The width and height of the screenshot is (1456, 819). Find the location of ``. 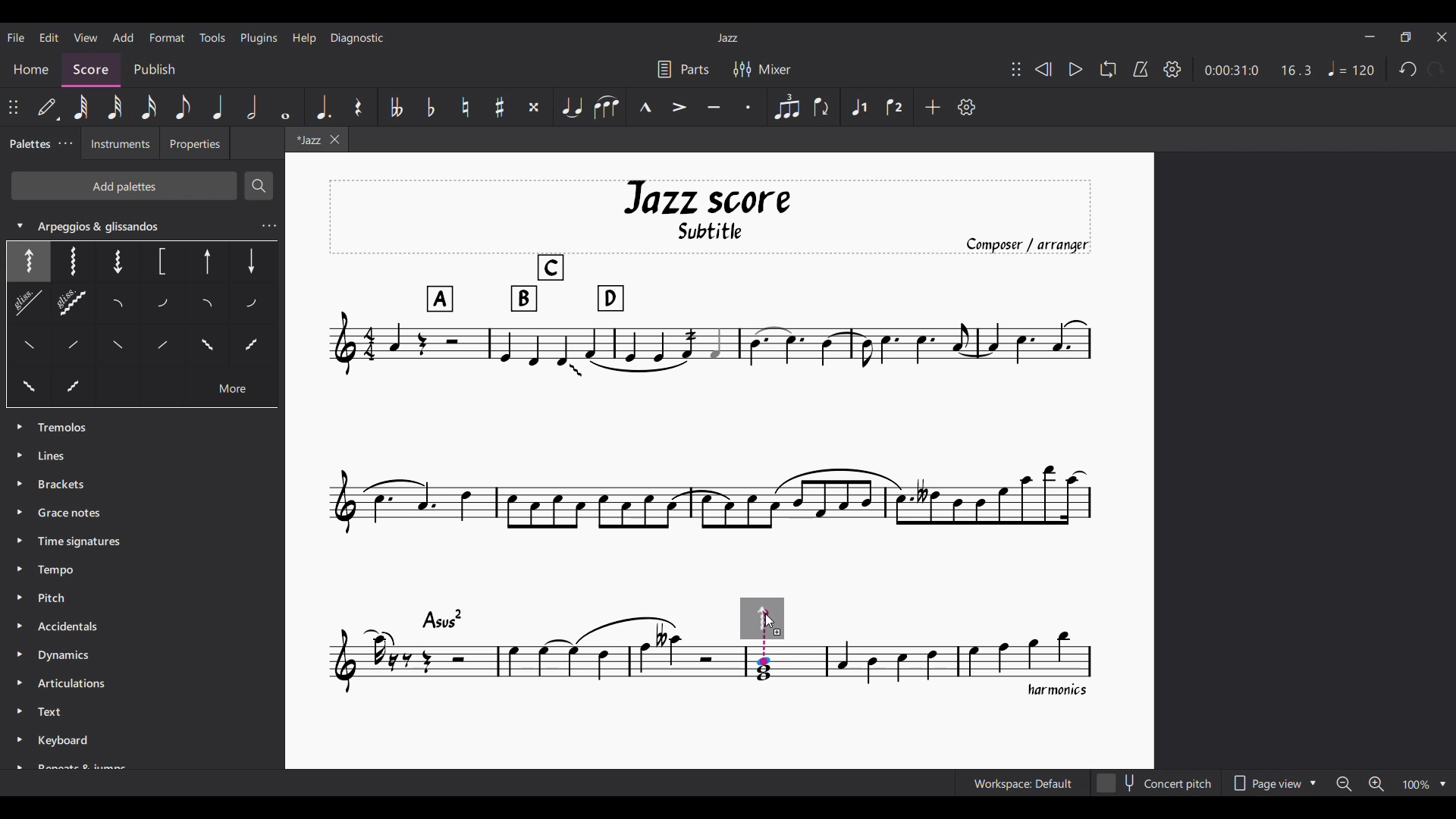

 is located at coordinates (86, 384).